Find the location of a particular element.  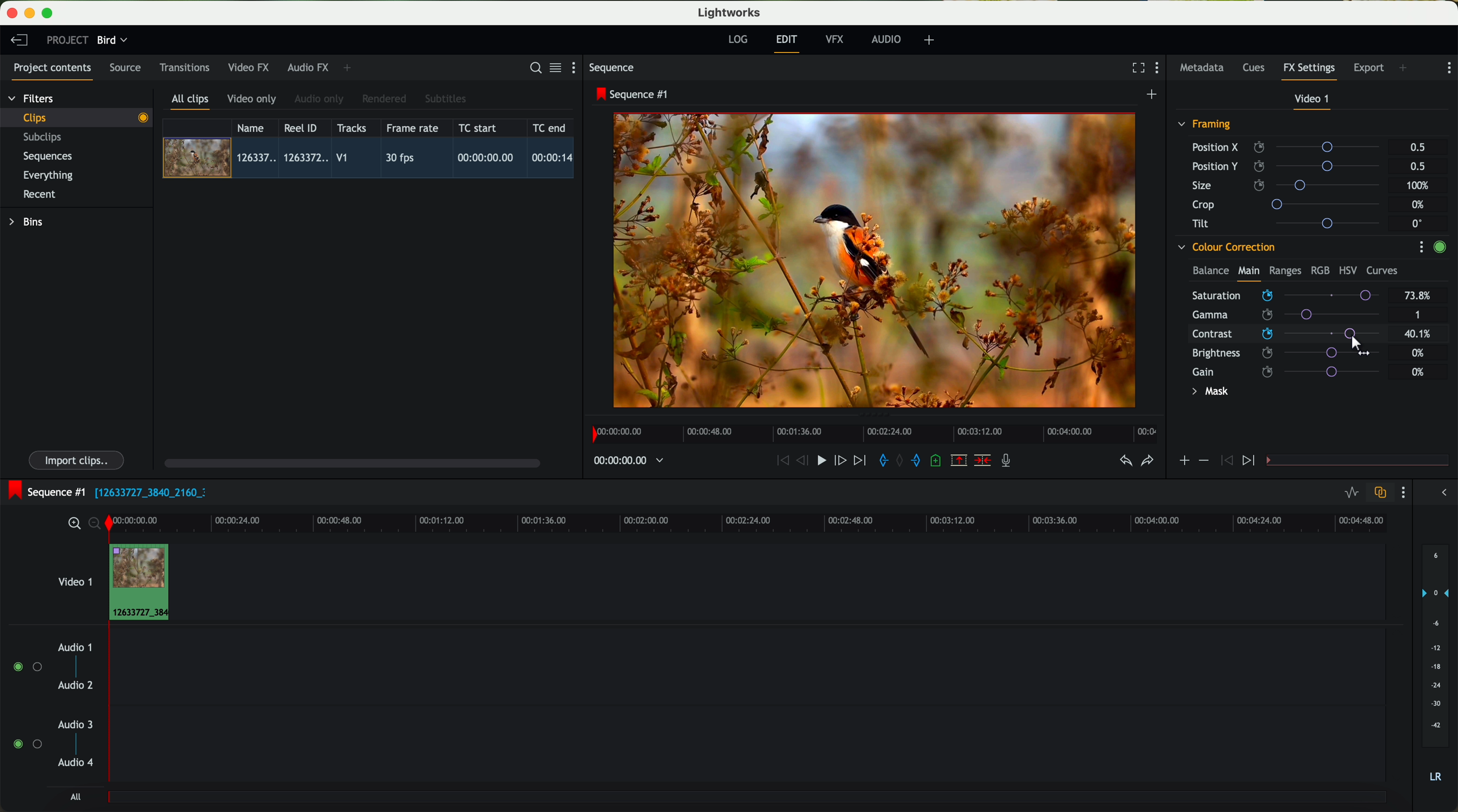

add 'in' mark is located at coordinates (880, 462).